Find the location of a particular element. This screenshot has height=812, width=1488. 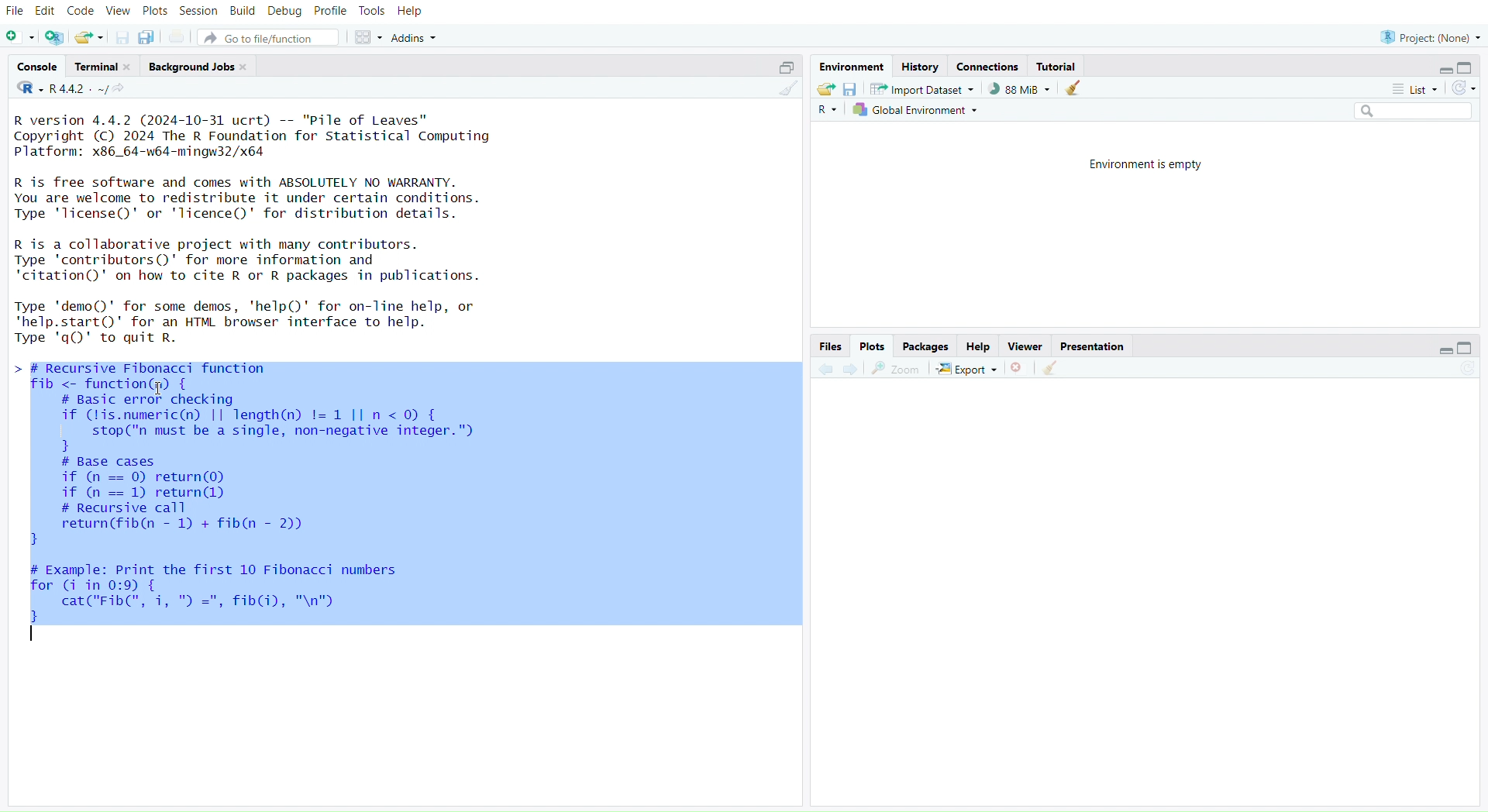

refresh list is located at coordinates (1461, 89).